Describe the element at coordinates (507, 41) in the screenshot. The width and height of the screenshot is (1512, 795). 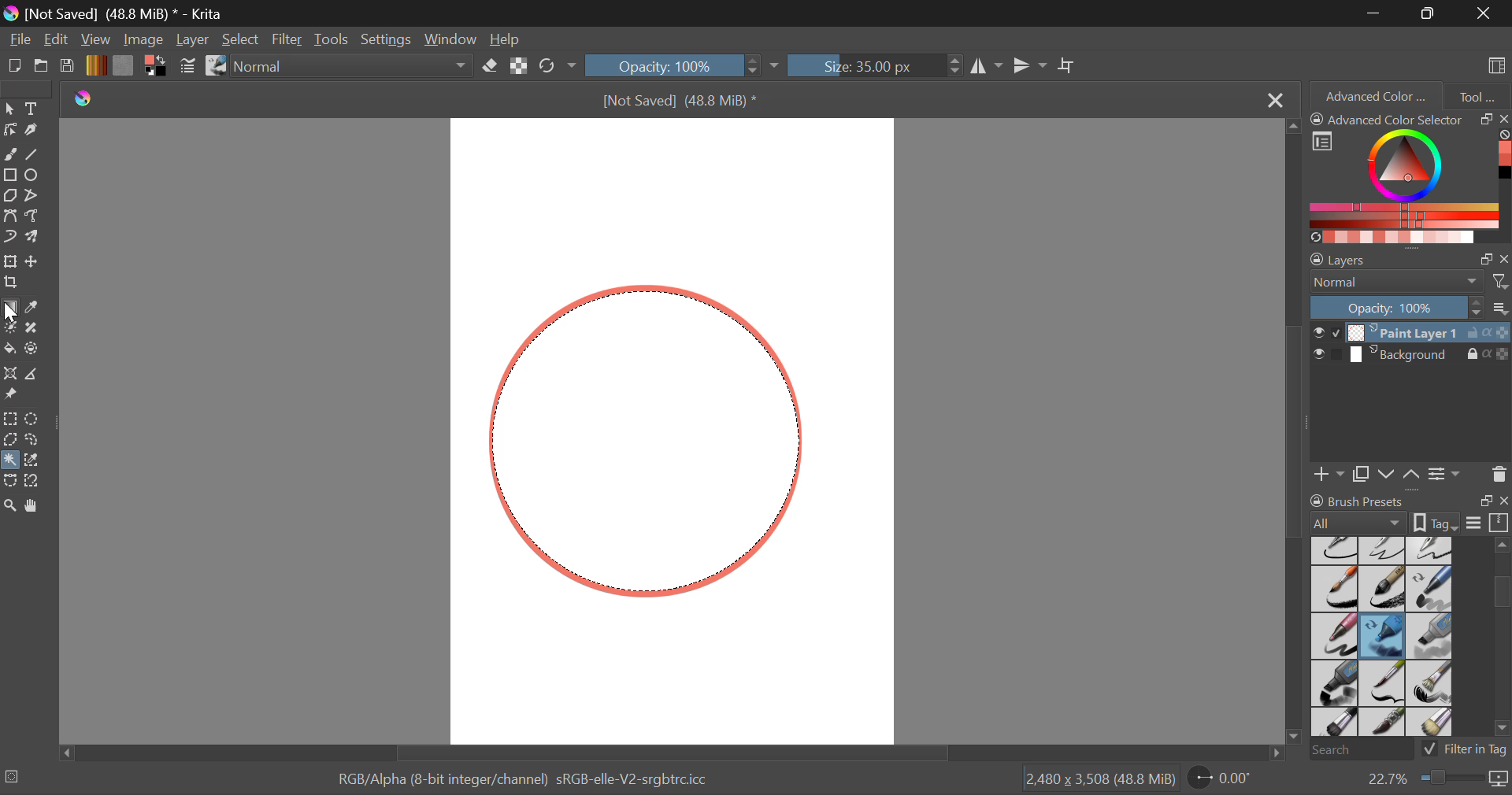
I see `Help` at that location.